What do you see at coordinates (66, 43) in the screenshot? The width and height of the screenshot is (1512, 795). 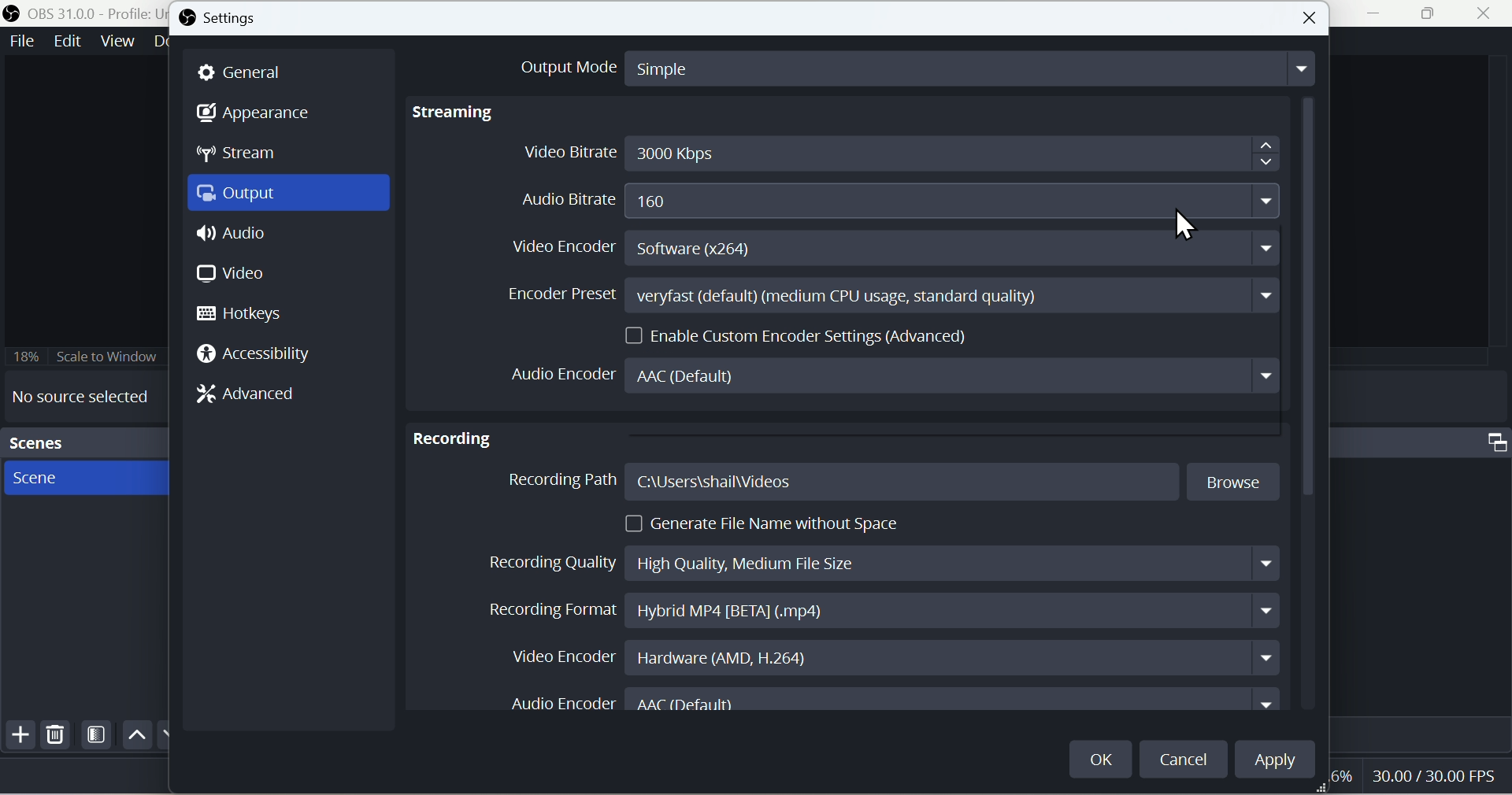 I see `Edit` at bounding box center [66, 43].